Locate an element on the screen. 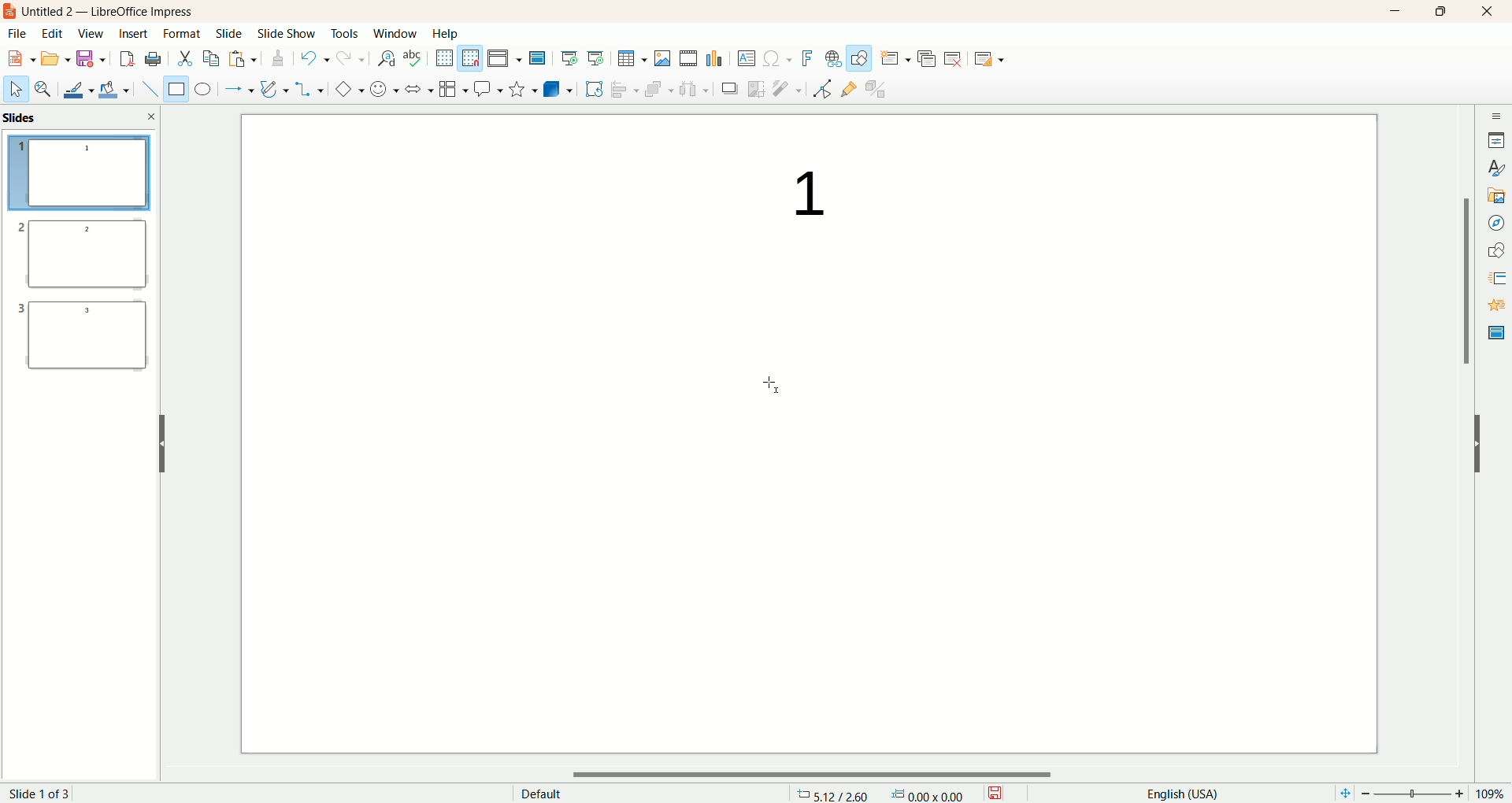 Image resolution: width=1512 pixels, height=803 pixels. display view is located at coordinates (506, 57).